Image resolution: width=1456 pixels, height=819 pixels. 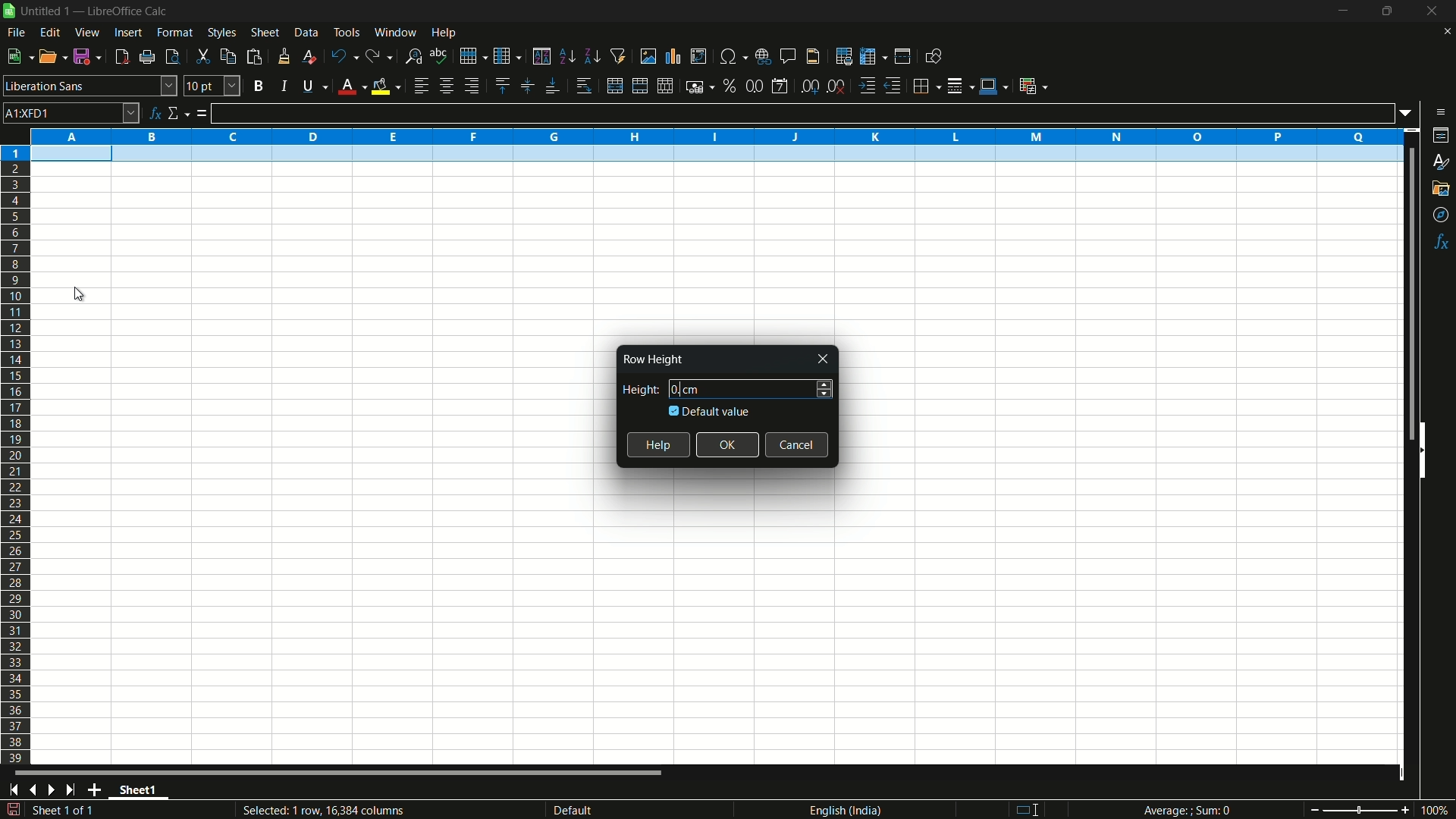 I want to click on clear direct formatting, so click(x=307, y=56).